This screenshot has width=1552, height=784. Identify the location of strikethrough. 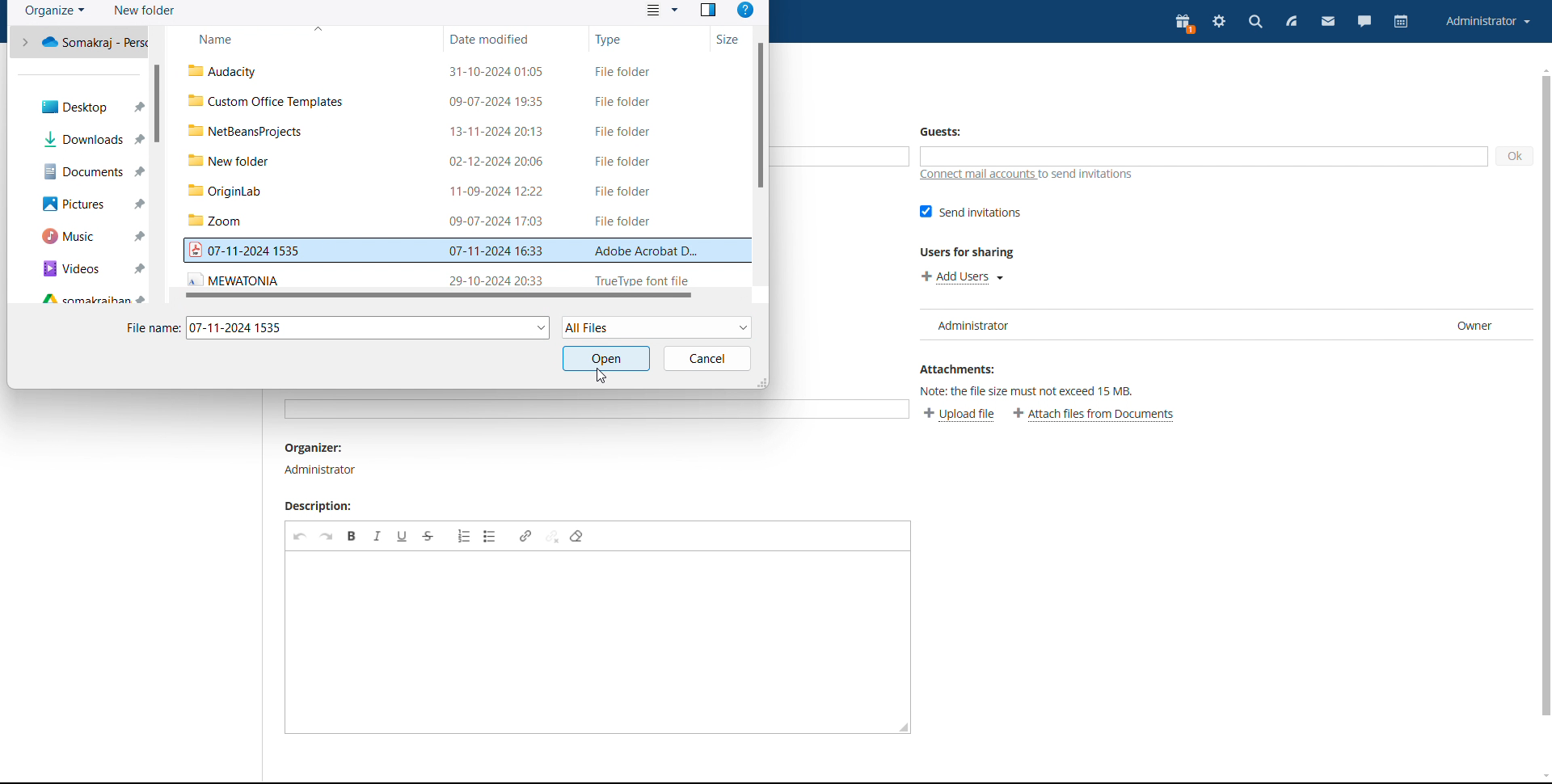
(428, 537).